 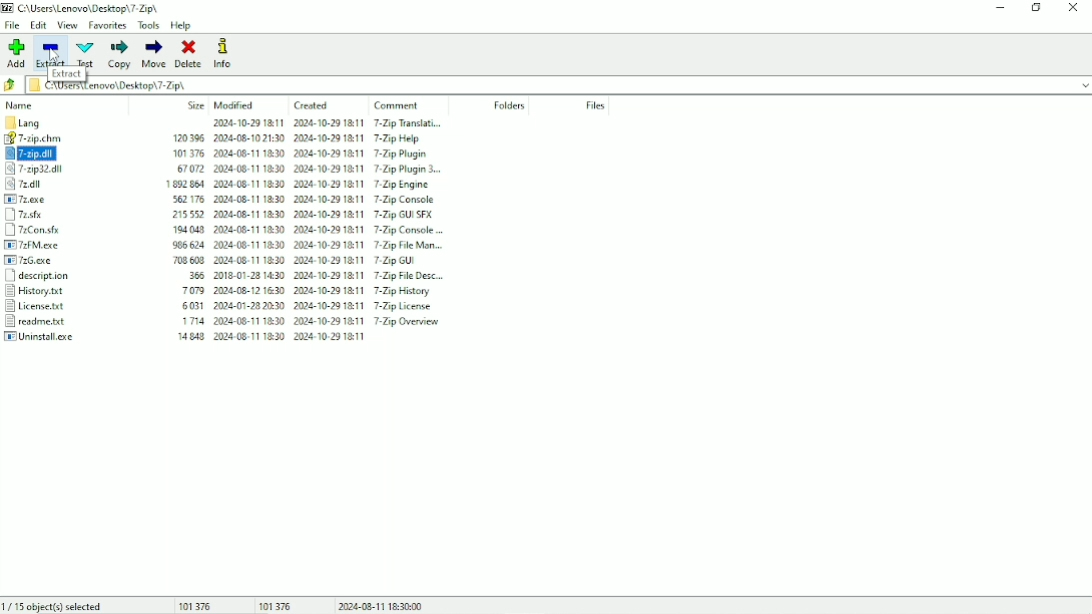 I want to click on 7-zip32.dll, so click(x=61, y=170).